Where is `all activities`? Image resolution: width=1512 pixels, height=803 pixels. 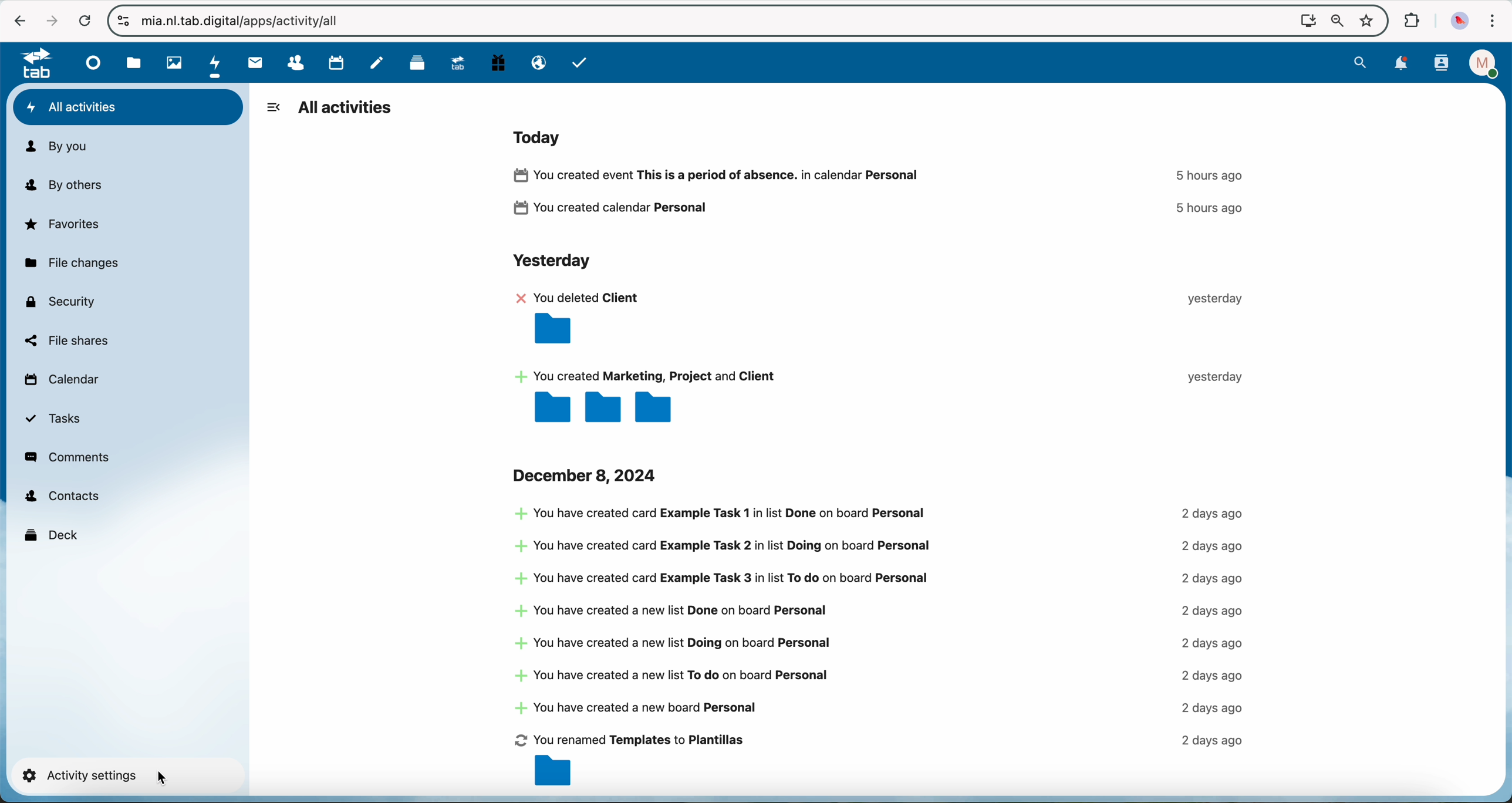
all activities is located at coordinates (346, 109).